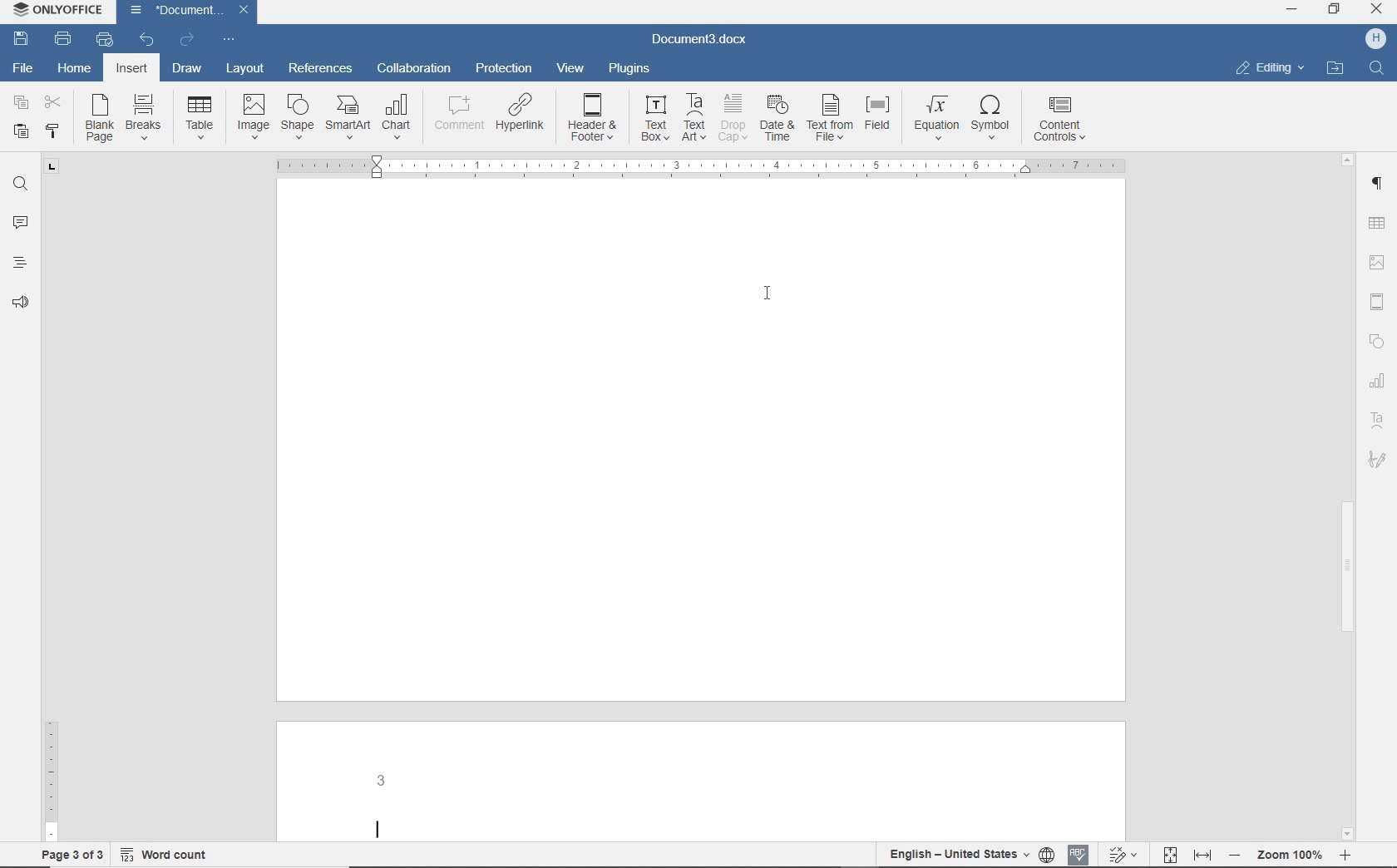 Image resolution: width=1397 pixels, height=868 pixels. What do you see at coordinates (1120, 850) in the screenshot?
I see `Track changes` at bounding box center [1120, 850].